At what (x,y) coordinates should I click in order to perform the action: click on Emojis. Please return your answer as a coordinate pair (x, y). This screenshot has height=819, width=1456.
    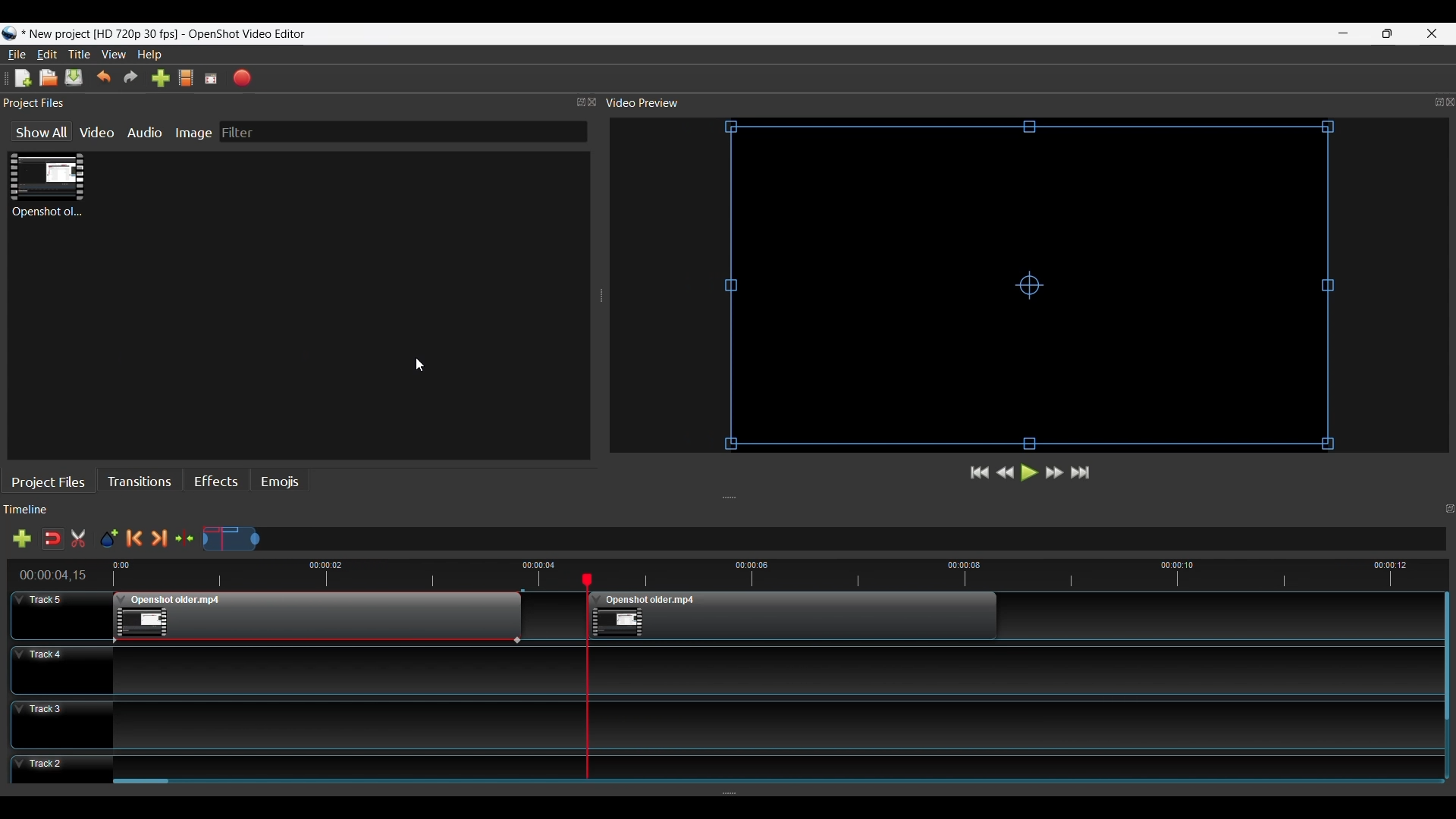
    Looking at the image, I should click on (279, 482).